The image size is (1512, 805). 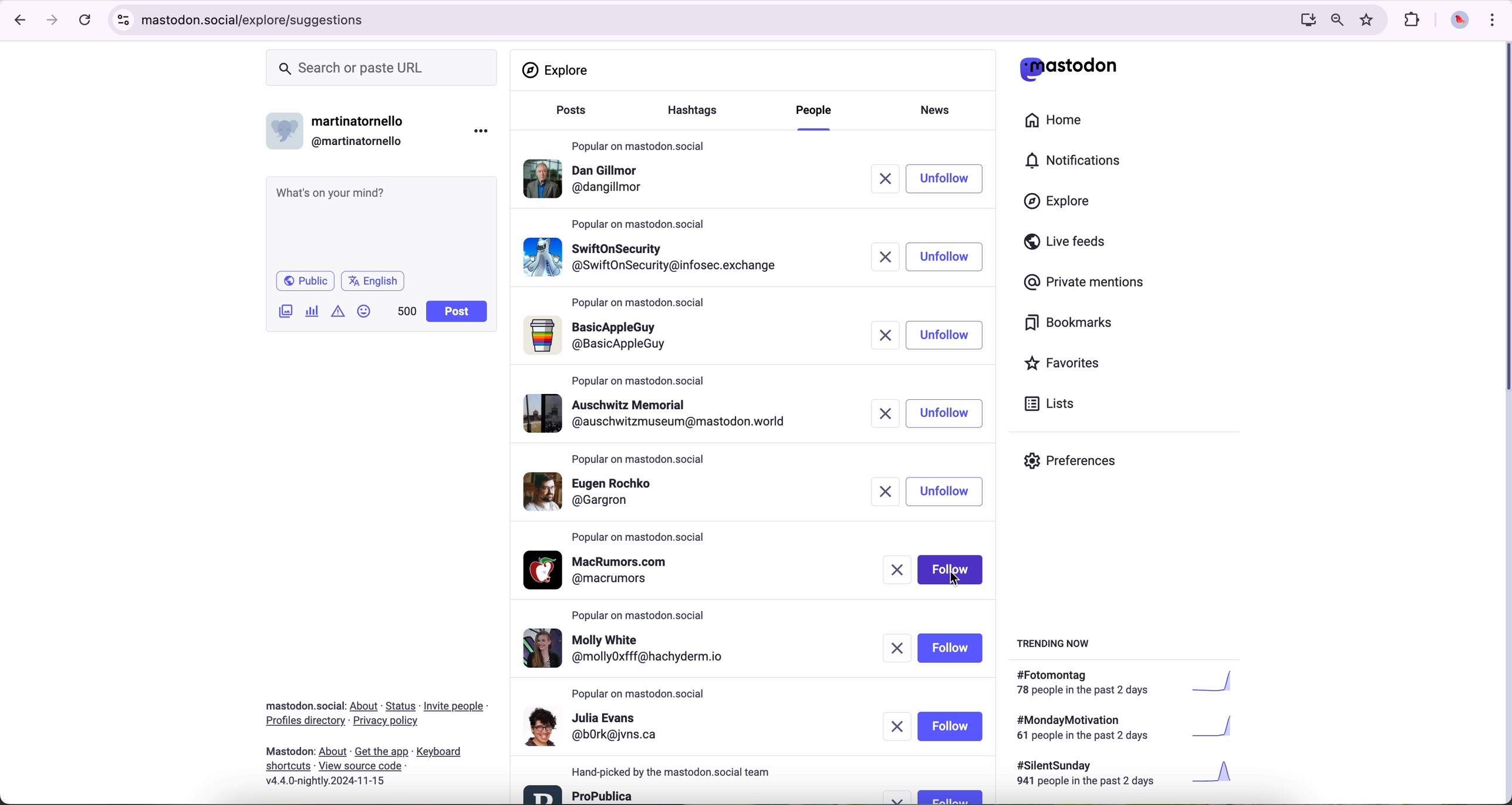 I want to click on remove, so click(x=883, y=491).